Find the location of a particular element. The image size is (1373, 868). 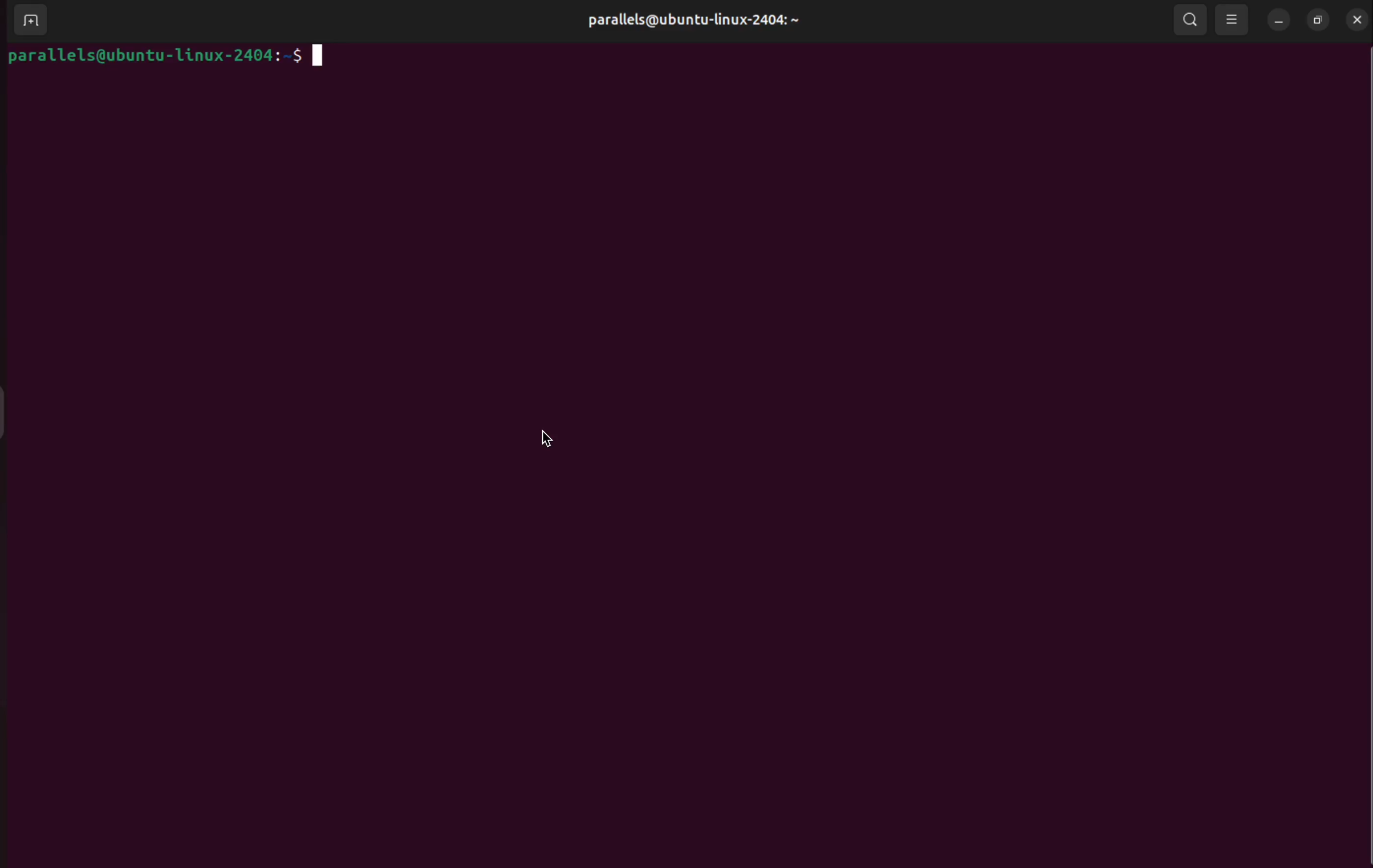

resize is located at coordinates (1318, 20).